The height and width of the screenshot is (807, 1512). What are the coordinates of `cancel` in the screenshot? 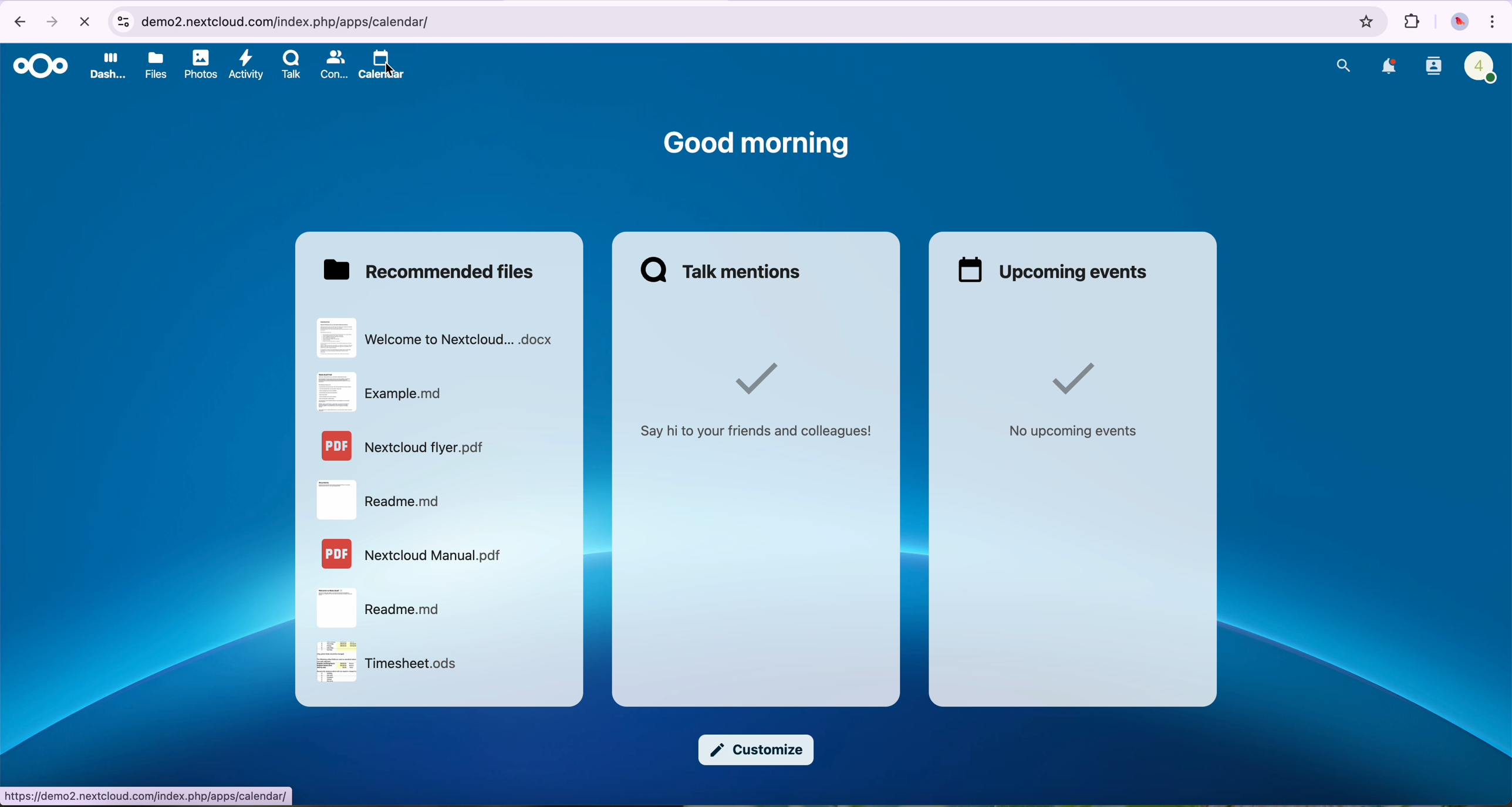 It's located at (84, 23).